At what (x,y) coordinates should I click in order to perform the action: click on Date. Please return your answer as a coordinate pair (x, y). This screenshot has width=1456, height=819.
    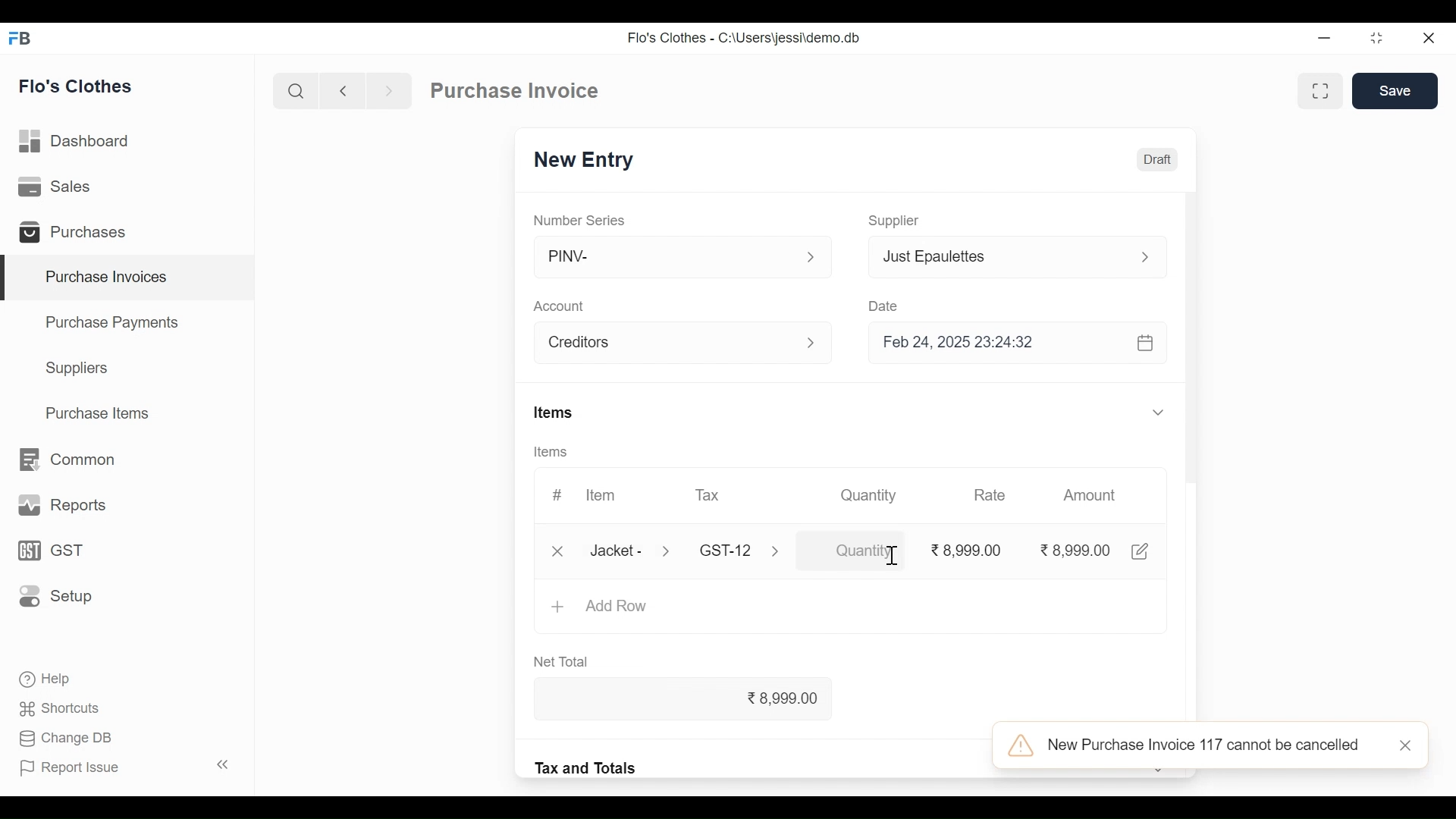
    Looking at the image, I should click on (883, 303).